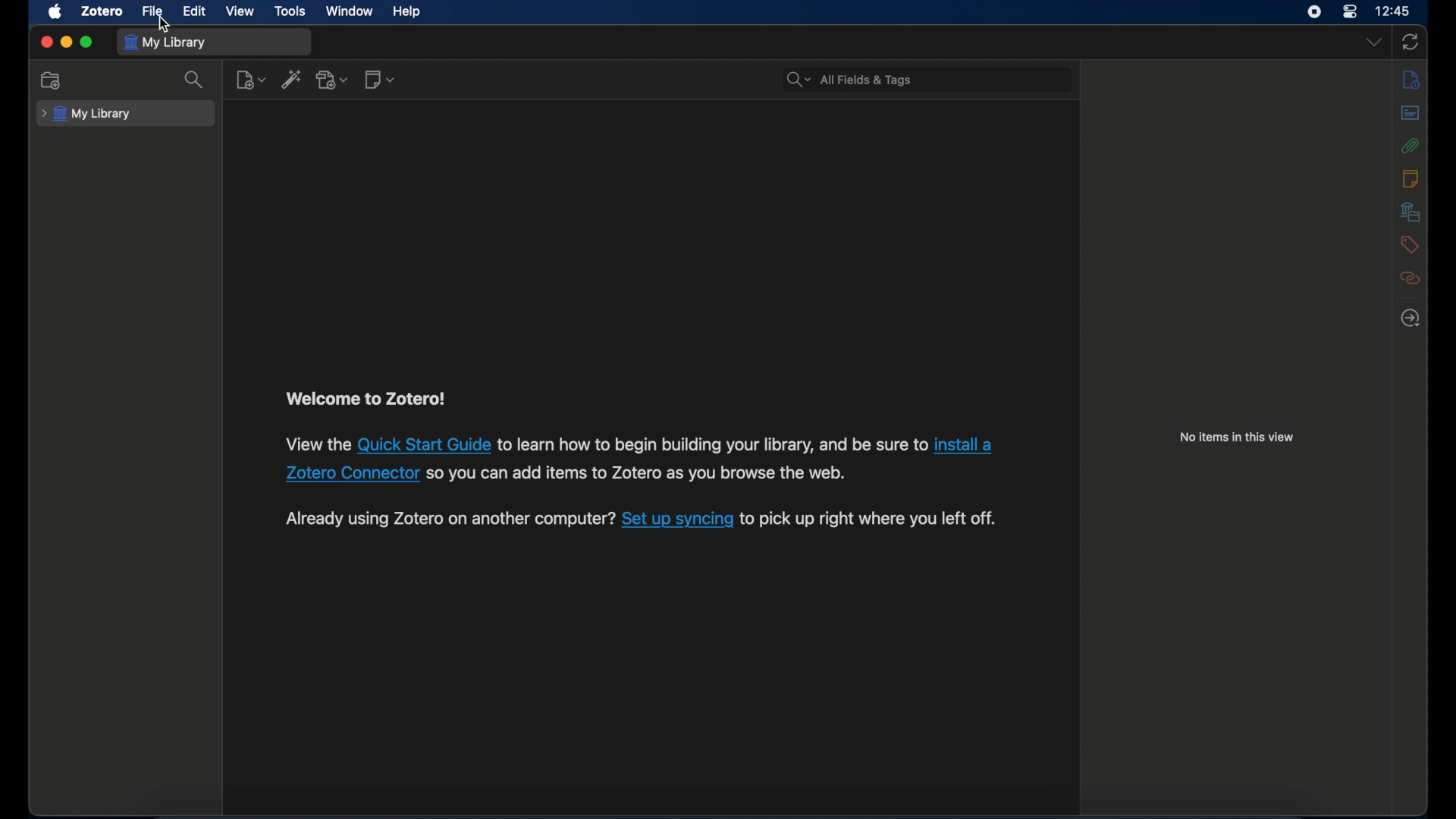 The height and width of the screenshot is (819, 1456). What do you see at coordinates (292, 79) in the screenshot?
I see `add item by identifier` at bounding box center [292, 79].